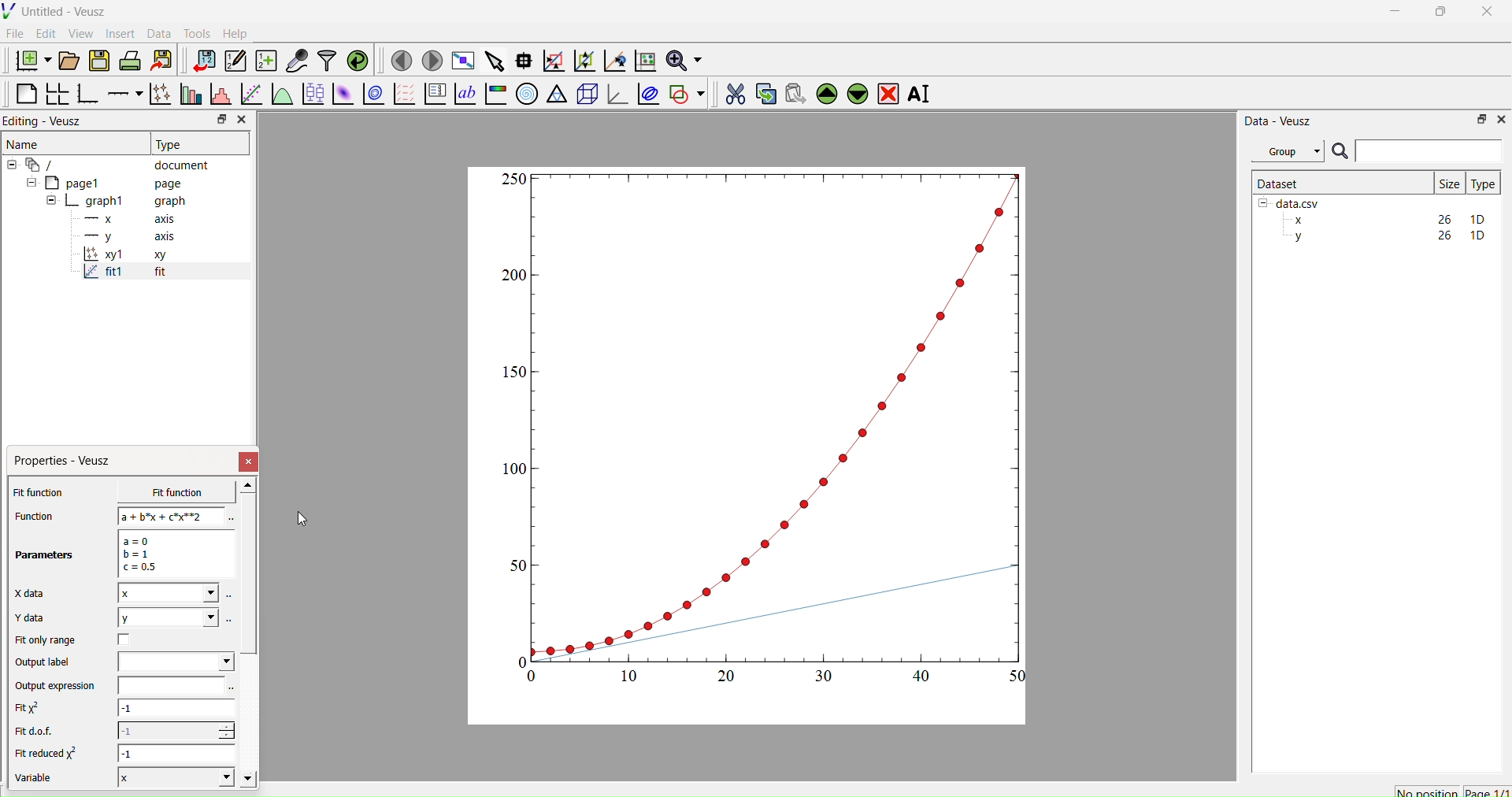 The image size is (1512, 797). Describe the element at coordinates (265, 61) in the screenshot. I see `Create a new dataset` at that location.